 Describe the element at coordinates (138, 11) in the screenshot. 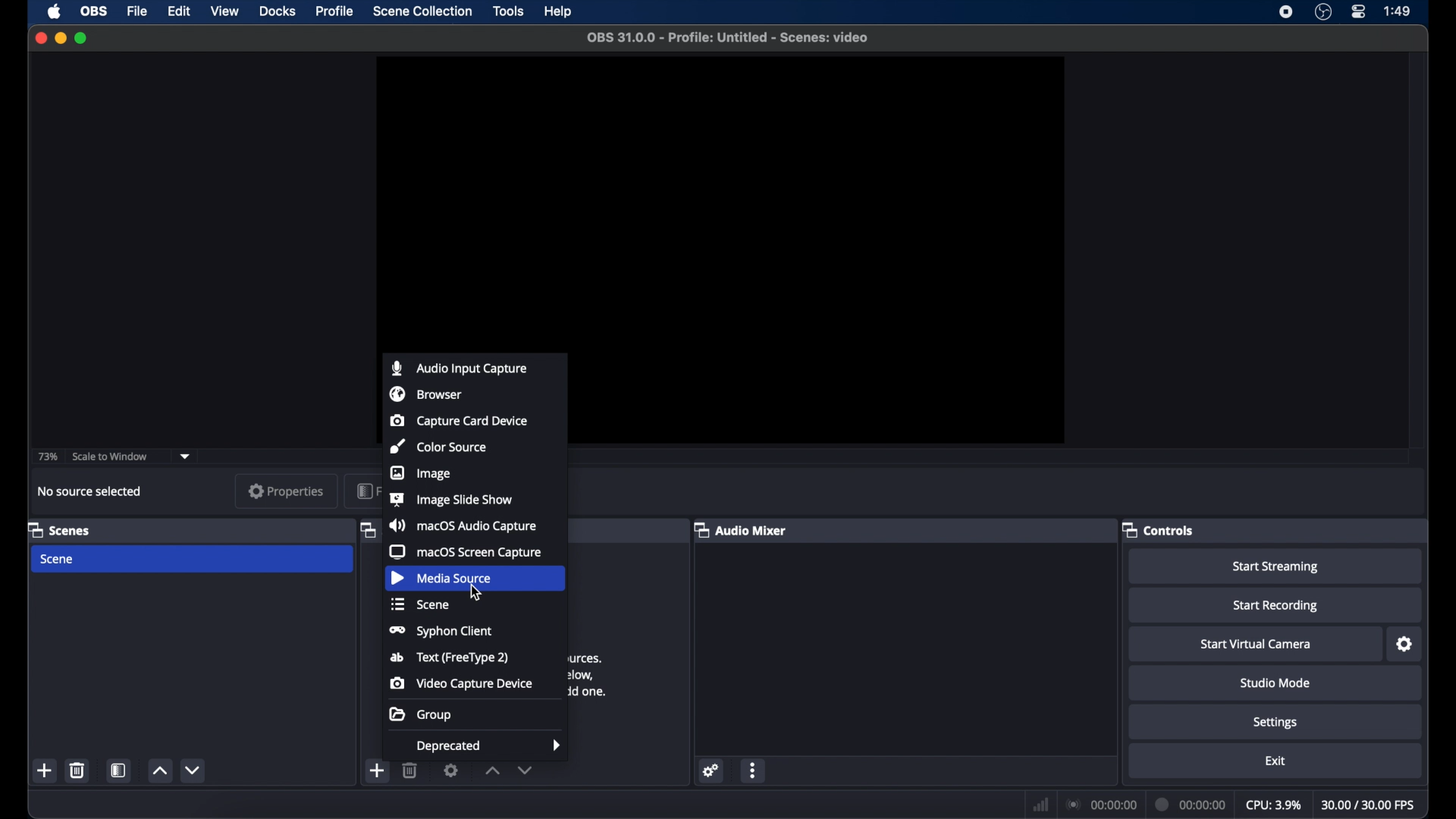

I see `file` at that location.